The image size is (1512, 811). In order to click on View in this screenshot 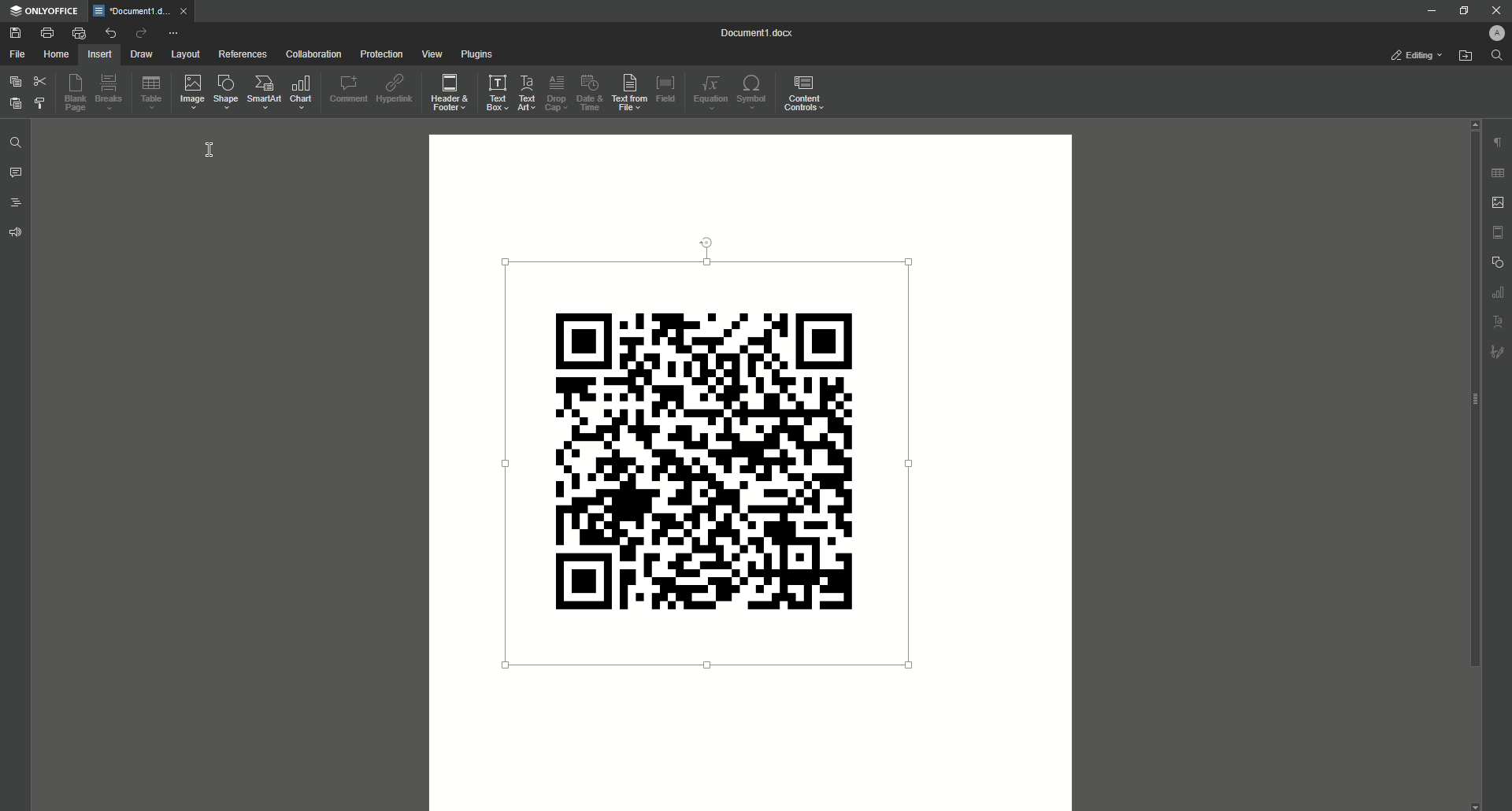, I will do `click(429, 55)`.